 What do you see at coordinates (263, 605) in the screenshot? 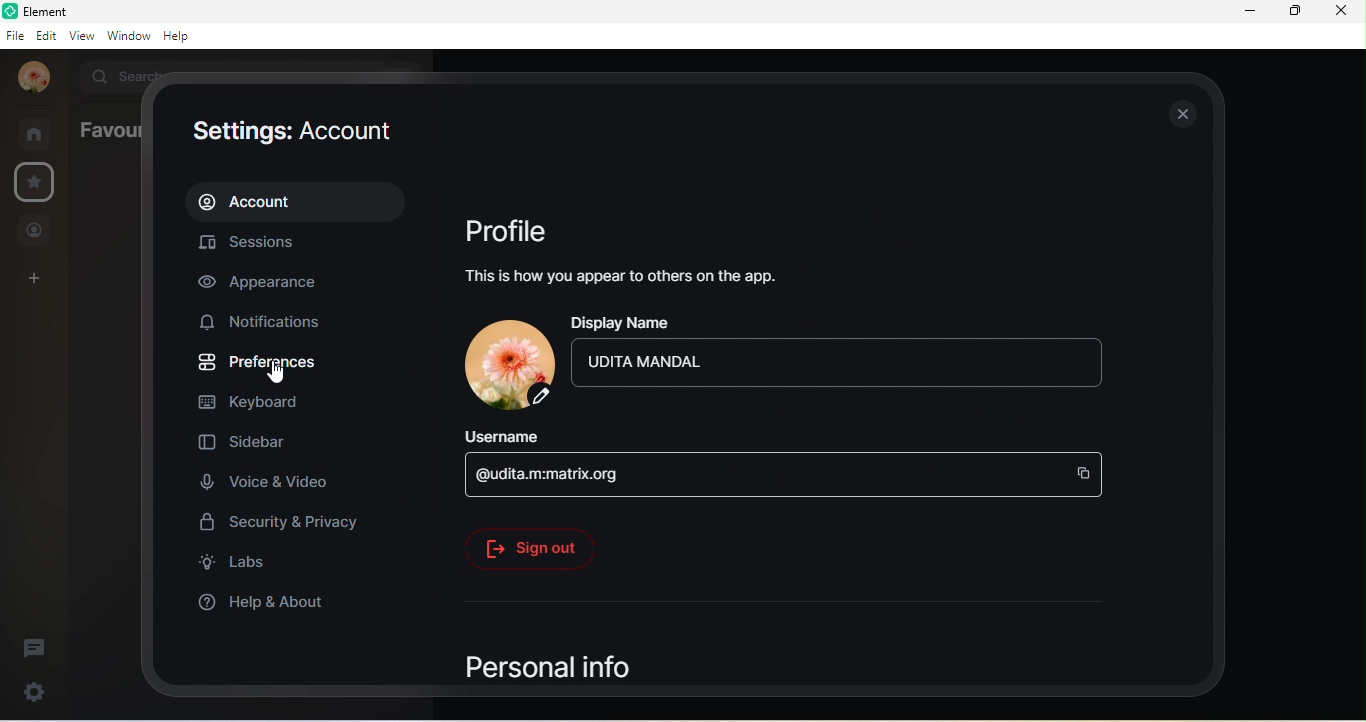
I see `help and about` at bounding box center [263, 605].